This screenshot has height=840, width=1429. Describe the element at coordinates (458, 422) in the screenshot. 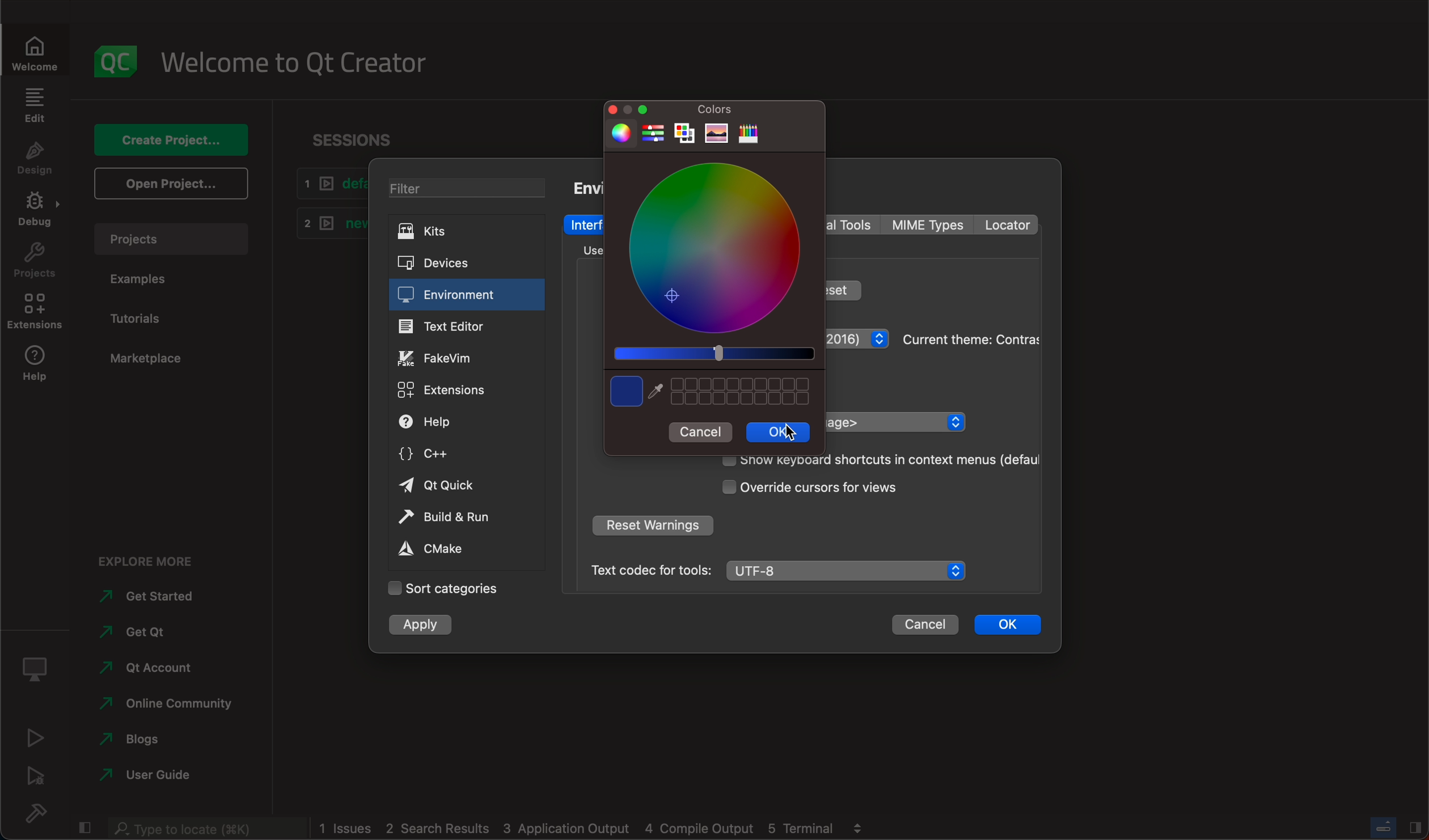

I see `help` at that location.